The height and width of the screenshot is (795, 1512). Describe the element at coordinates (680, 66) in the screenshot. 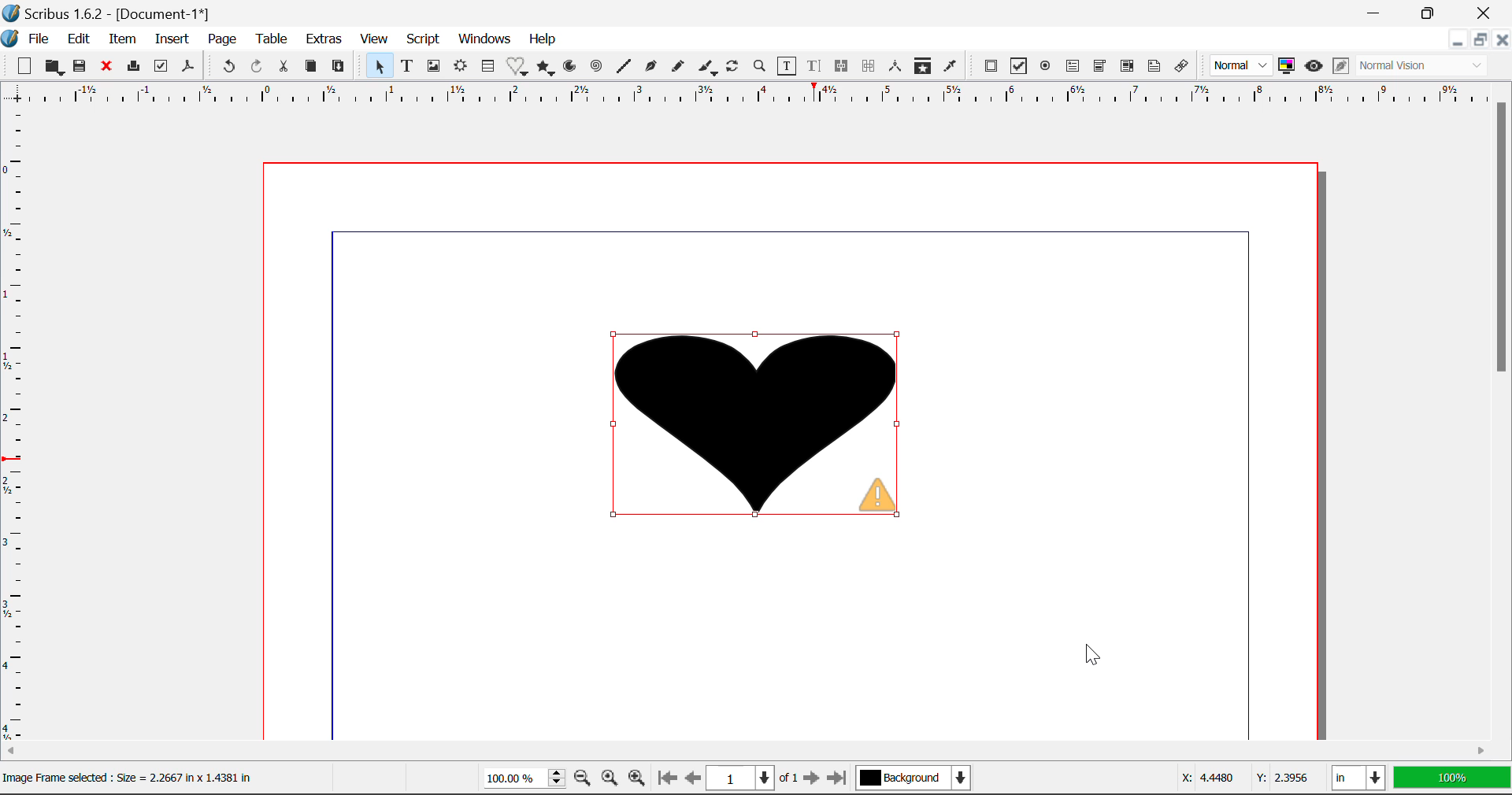

I see `Freehand Curve` at that location.